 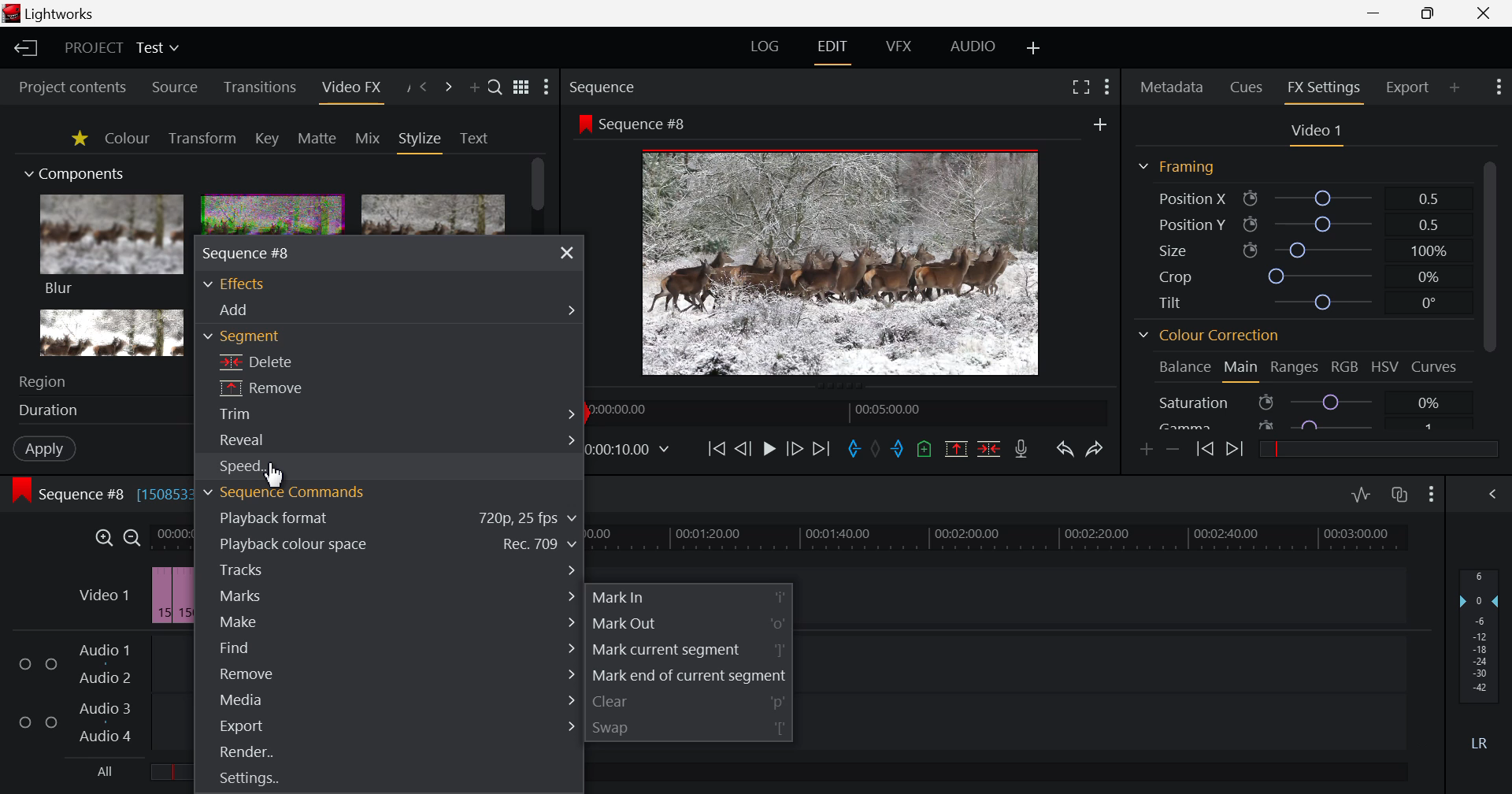 What do you see at coordinates (391, 596) in the screenshot?
I see `Marks` at bounding box center [391, 596].